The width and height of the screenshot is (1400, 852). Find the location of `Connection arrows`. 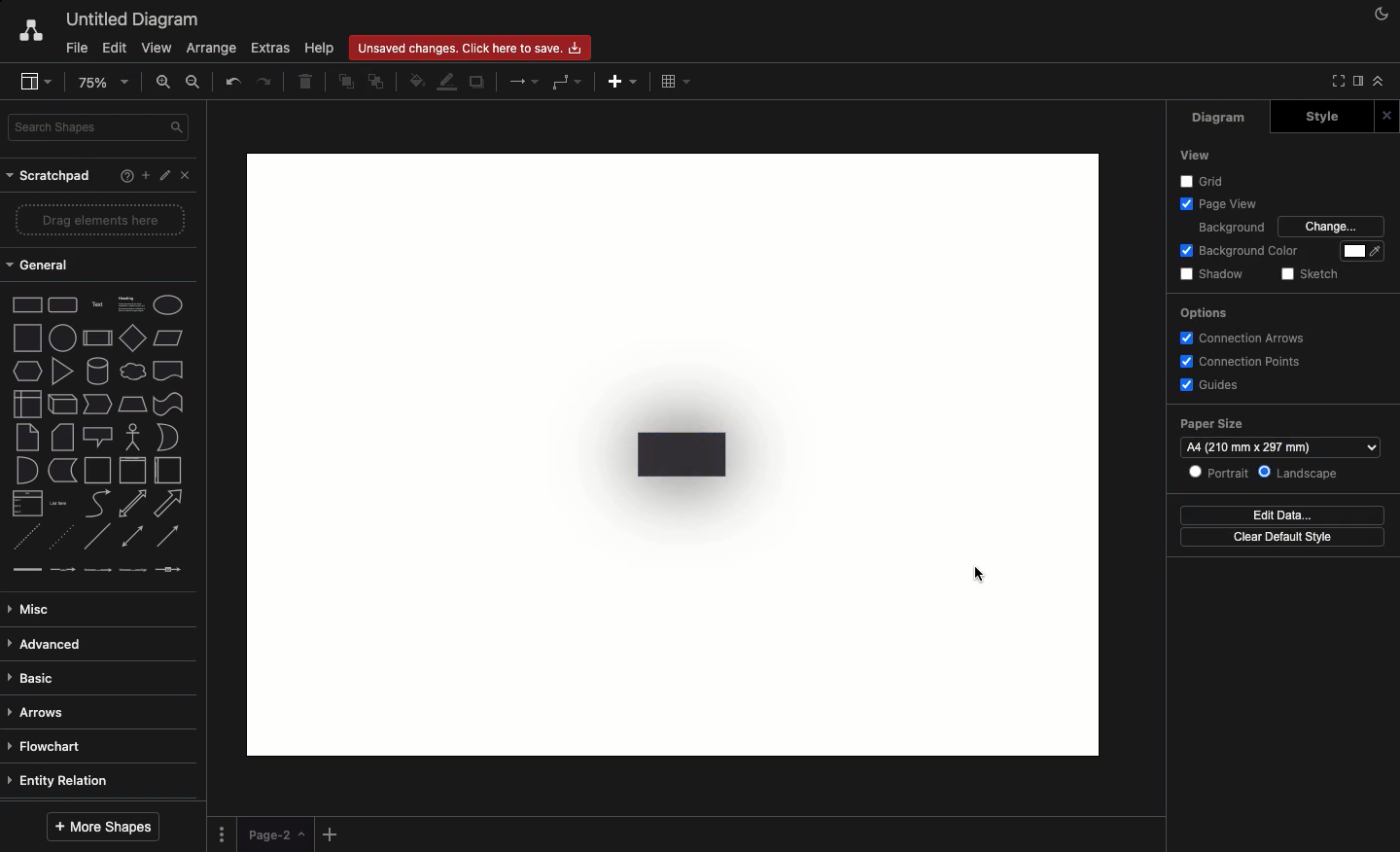

Connection arrows is located at coordinates (1240, 337).